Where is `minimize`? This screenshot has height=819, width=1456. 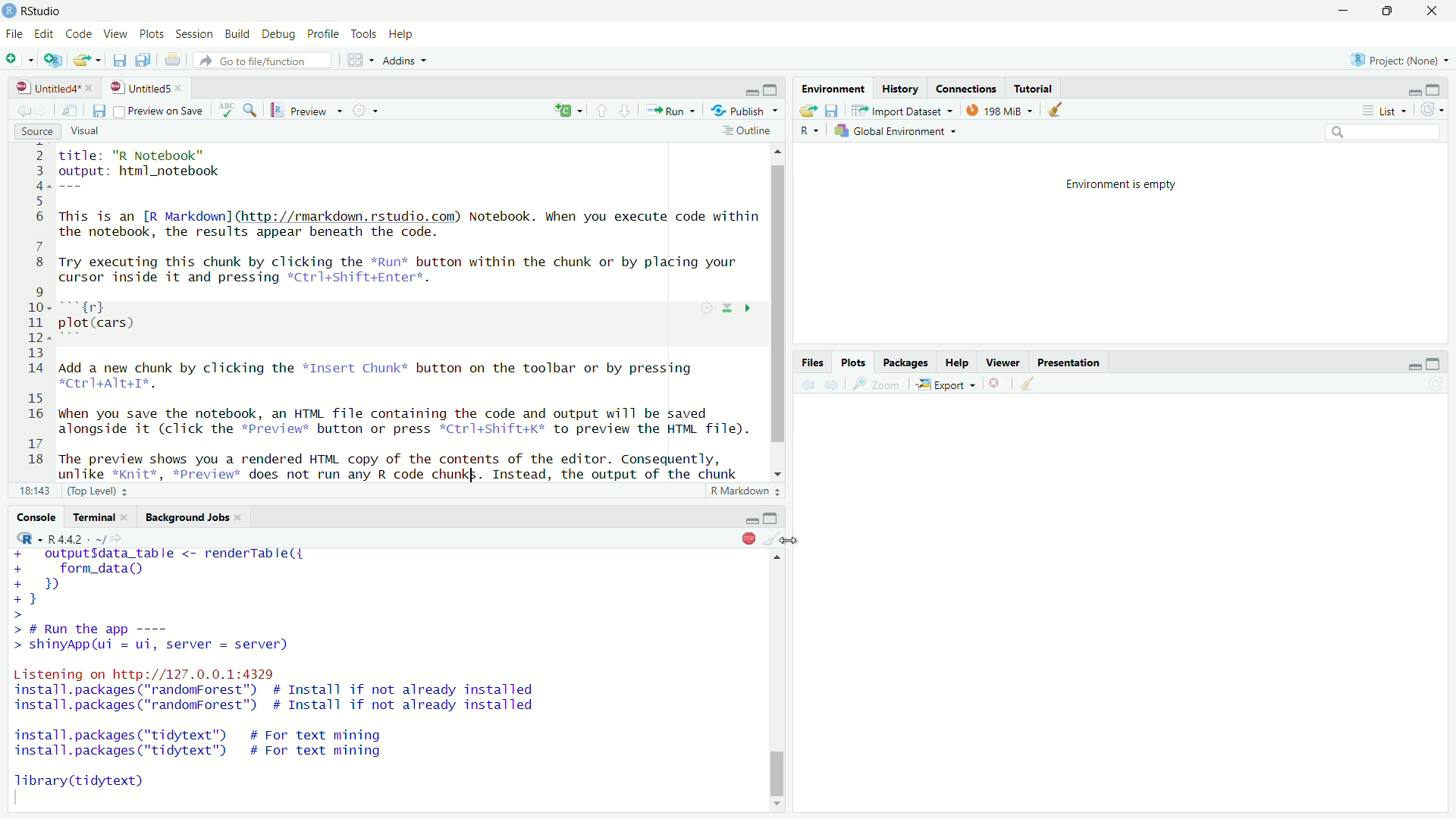 minimize is located at coordinates (752, 91).